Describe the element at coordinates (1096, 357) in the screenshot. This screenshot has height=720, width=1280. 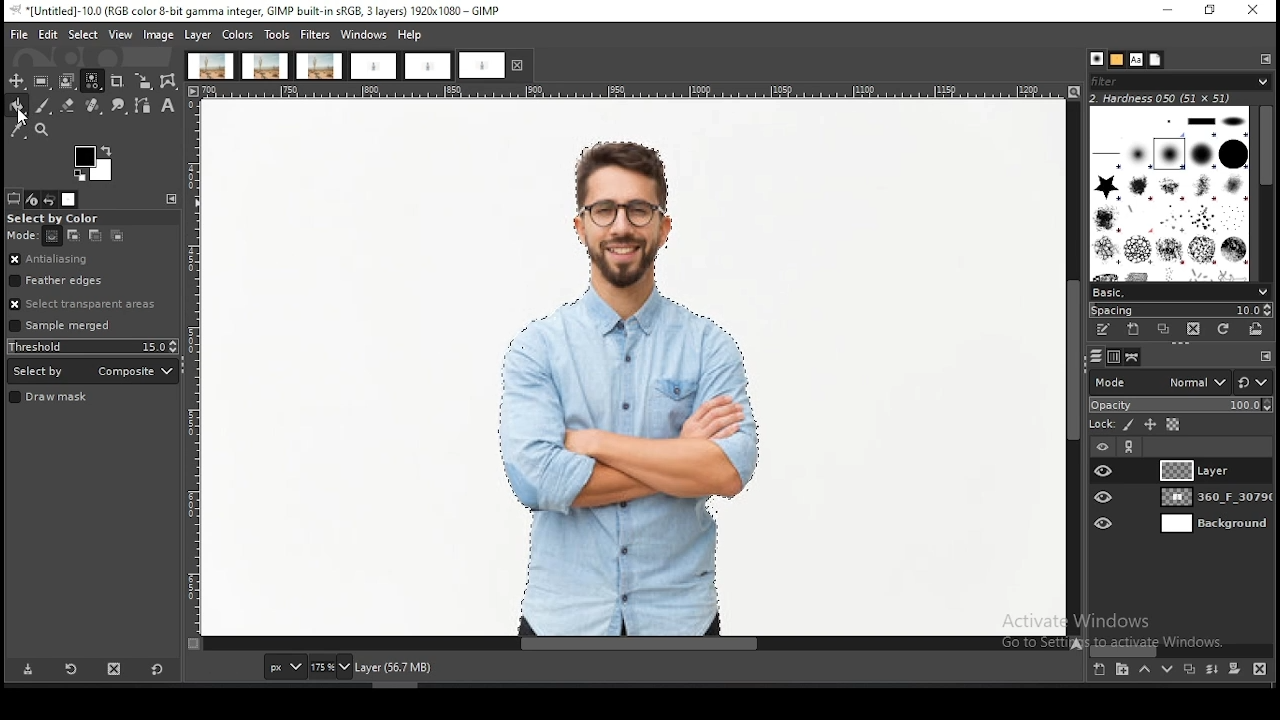
I see `layers` at that location.